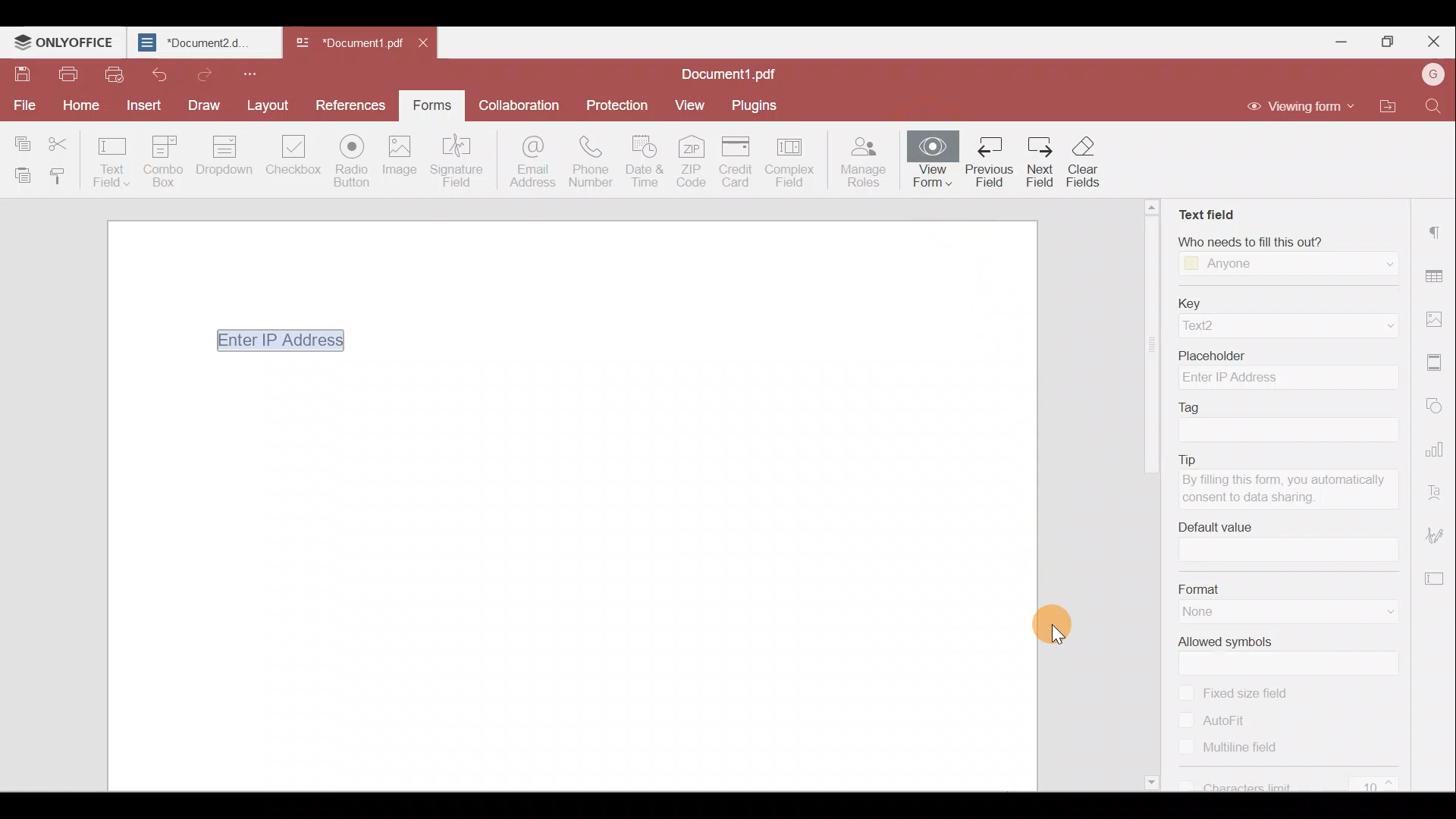 The height and width of the screenshot is (819, 1456). What do you see at coordinates (932, 165) in the screenshot?
I see `View form` at bounding box center [932, 165].